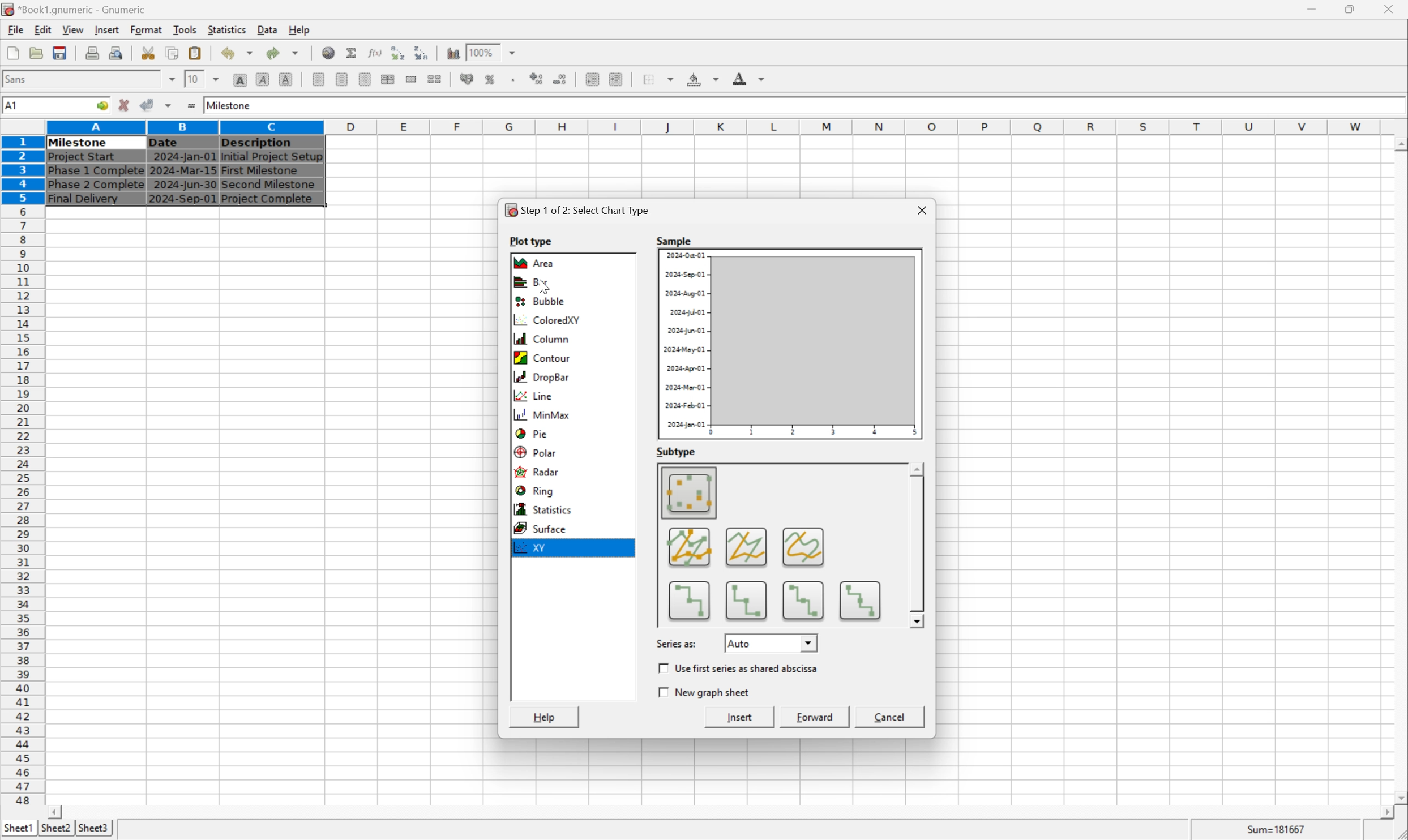 This screenshot has width=1408, height=840. I want to click on edit, so click(44, 29).